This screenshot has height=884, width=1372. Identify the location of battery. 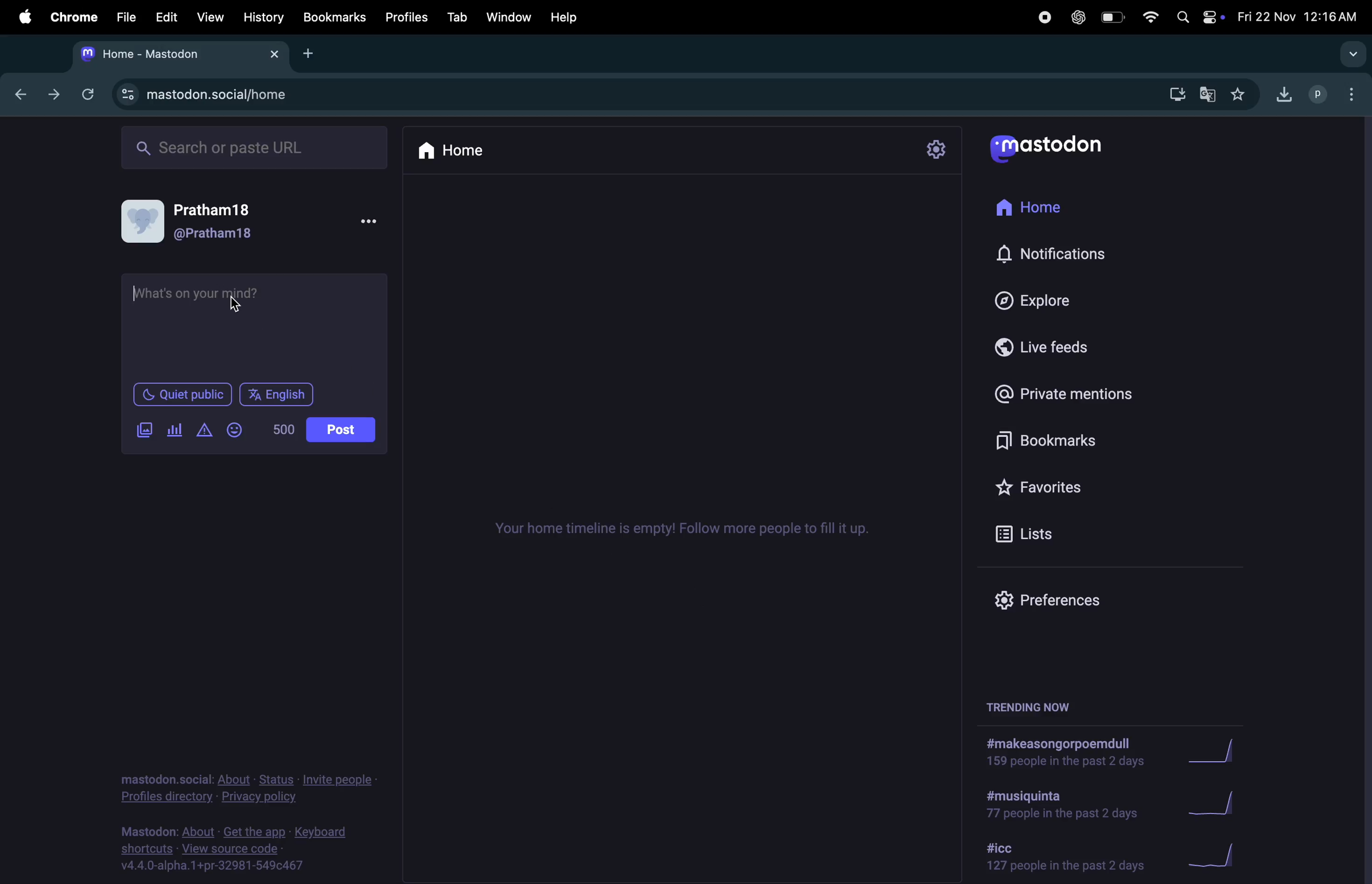
(1111, 18).